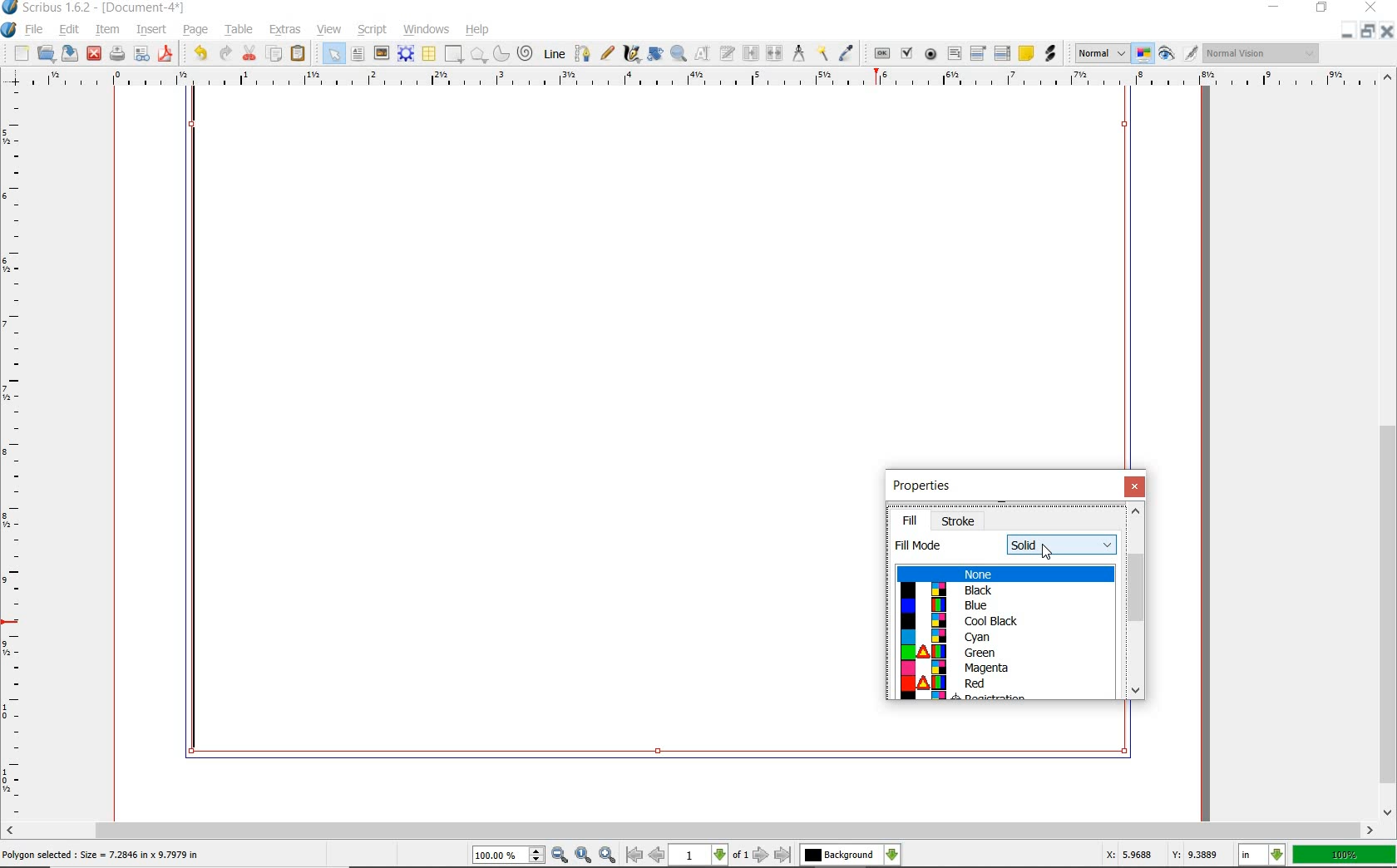  I want to click on zoom out, so click(560, 856).